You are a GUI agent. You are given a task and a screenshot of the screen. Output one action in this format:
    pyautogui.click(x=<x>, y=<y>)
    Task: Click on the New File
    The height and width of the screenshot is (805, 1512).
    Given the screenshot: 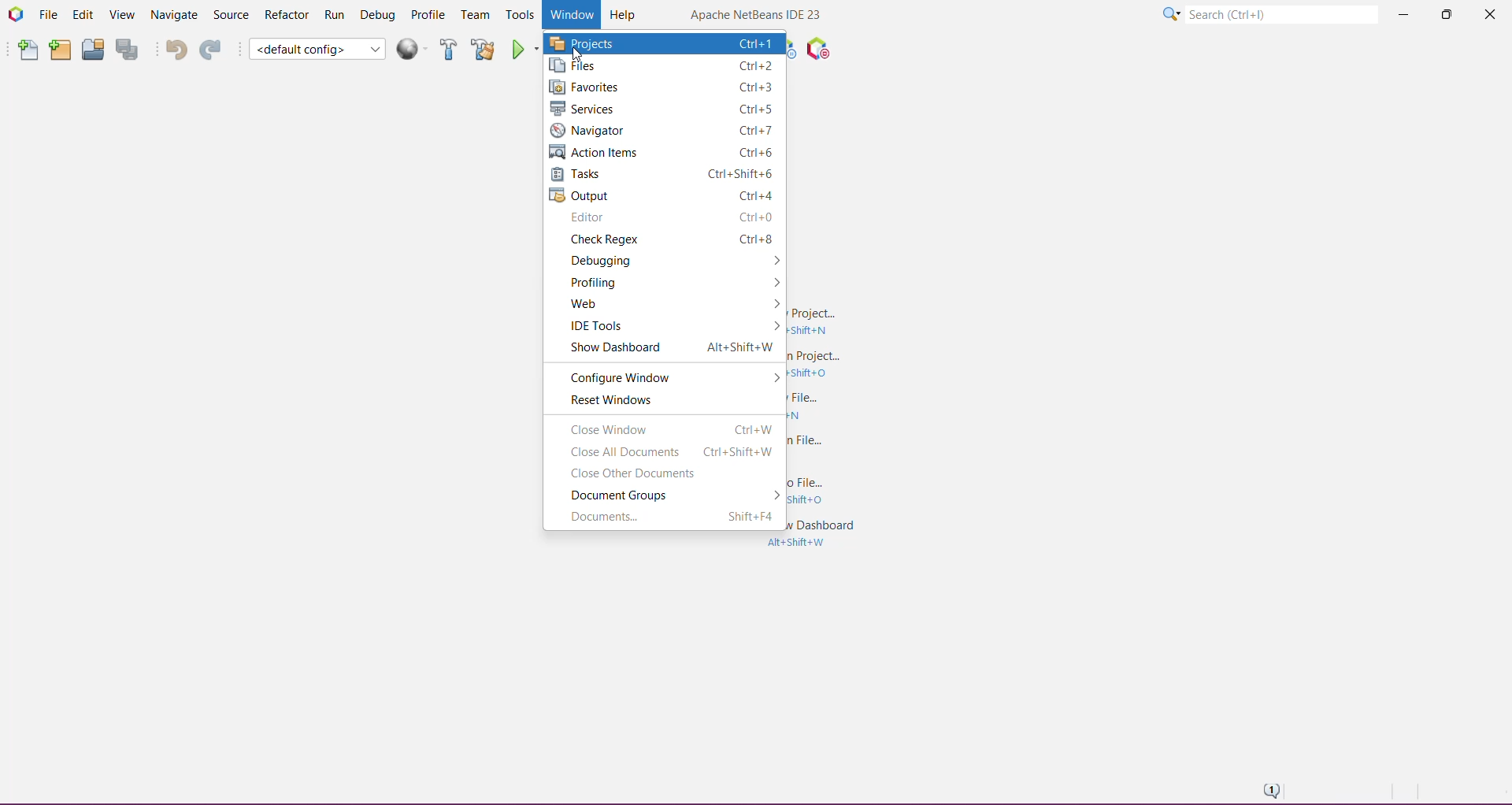 What is the action you would take?
    pyautogui.click(x=27, y=50)
    